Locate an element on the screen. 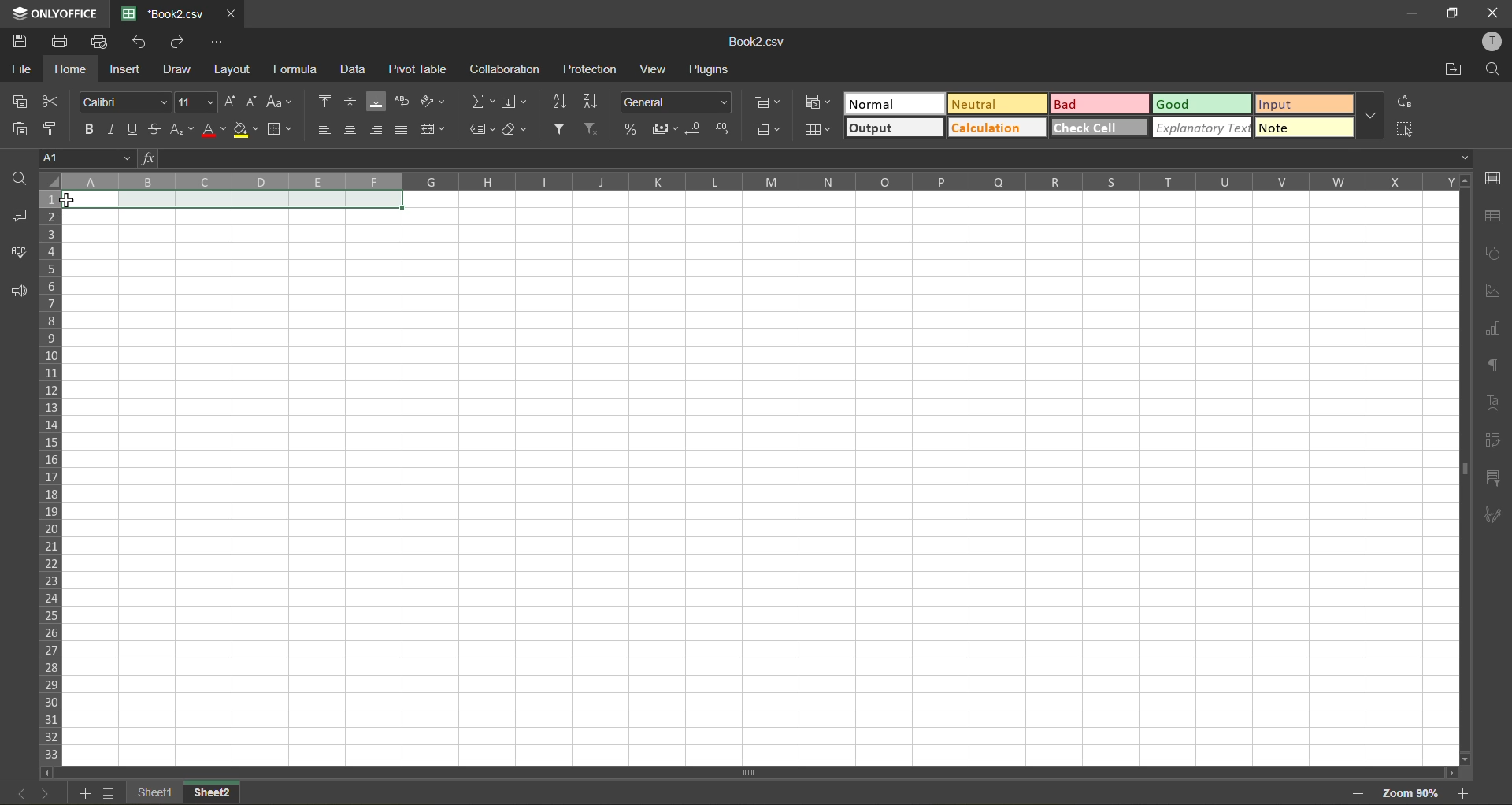 This screenshot has width=1512, height=805. working sheet 2 is located at coordinates (760, 488).